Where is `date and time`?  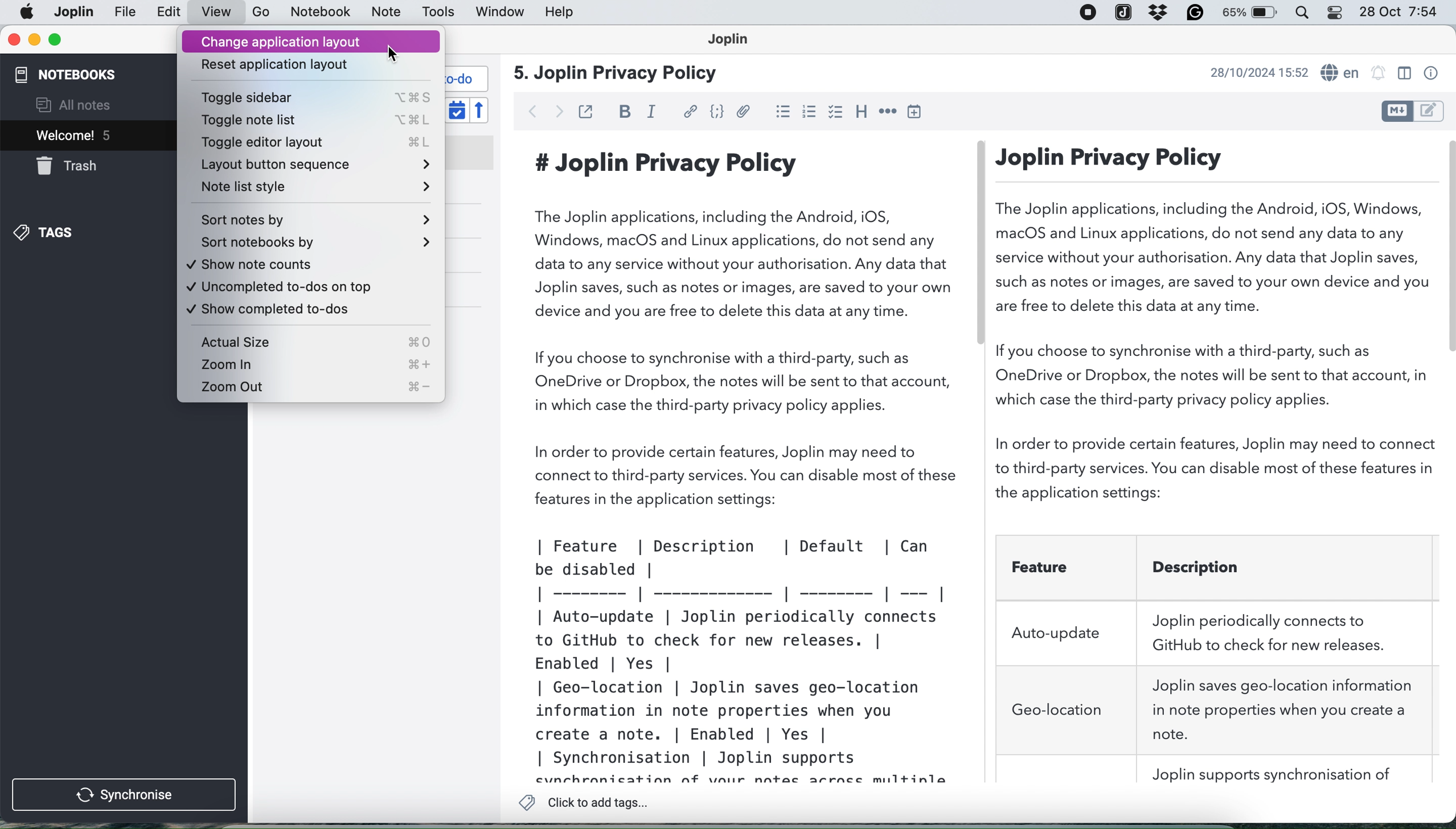 date and time is located at coordinates (1256, 72).